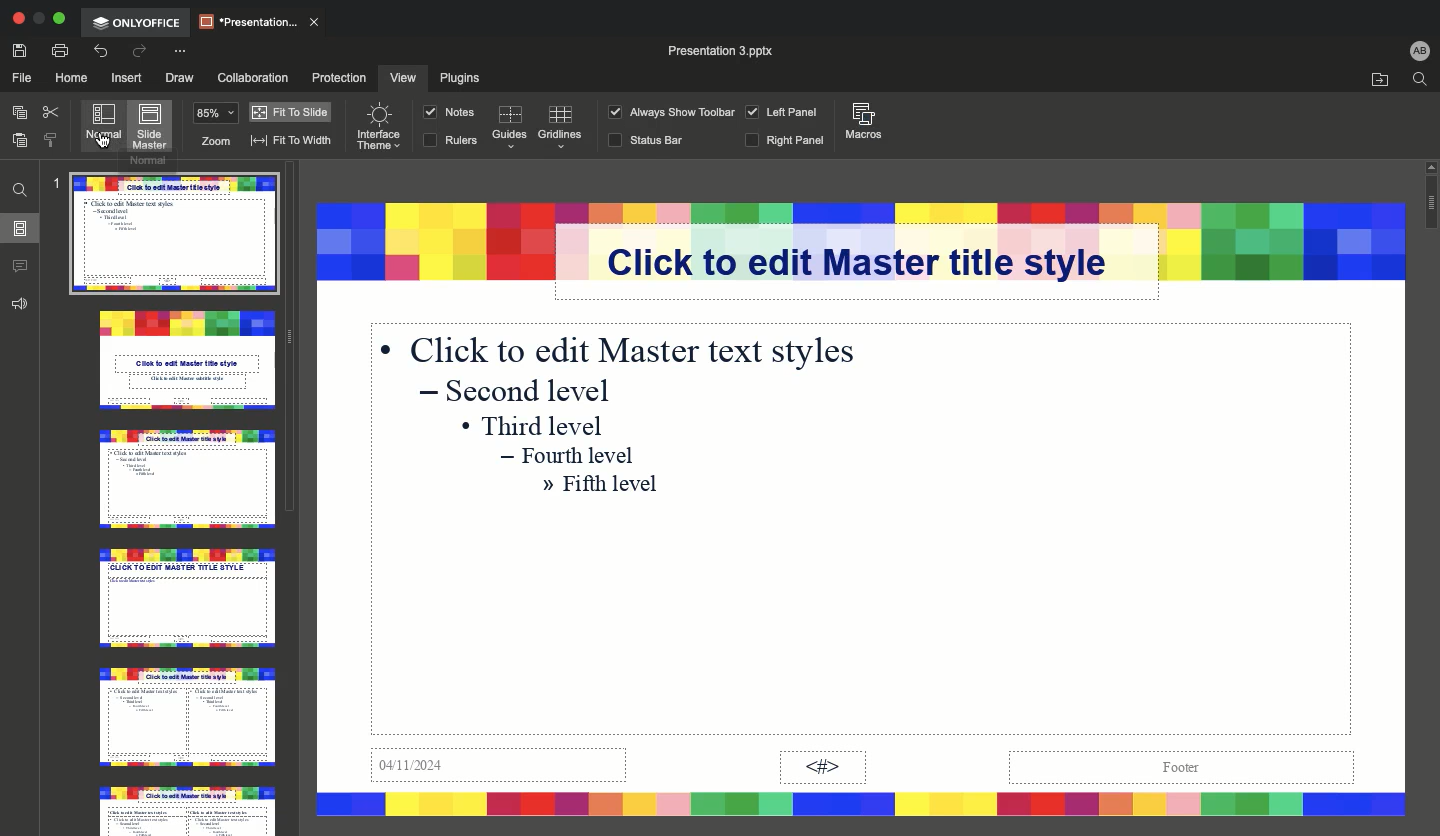  What do you see at coordinates (666, 112) in the screenshot?
I see `Always show toolbar` at bounding box center [666, 112].